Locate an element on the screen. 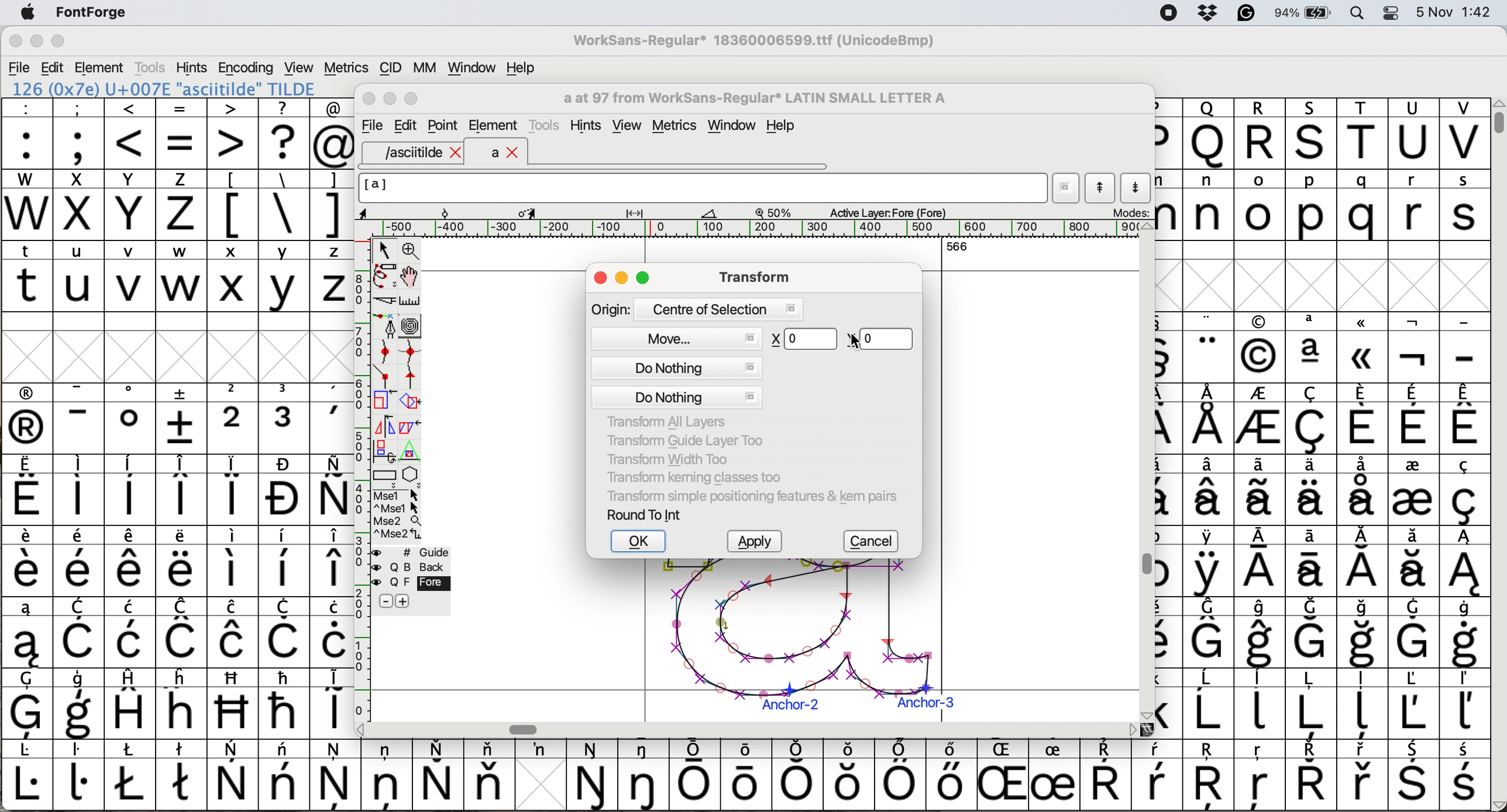 The image size is (1507, 812). symbol is located at coordinates (181, 562).